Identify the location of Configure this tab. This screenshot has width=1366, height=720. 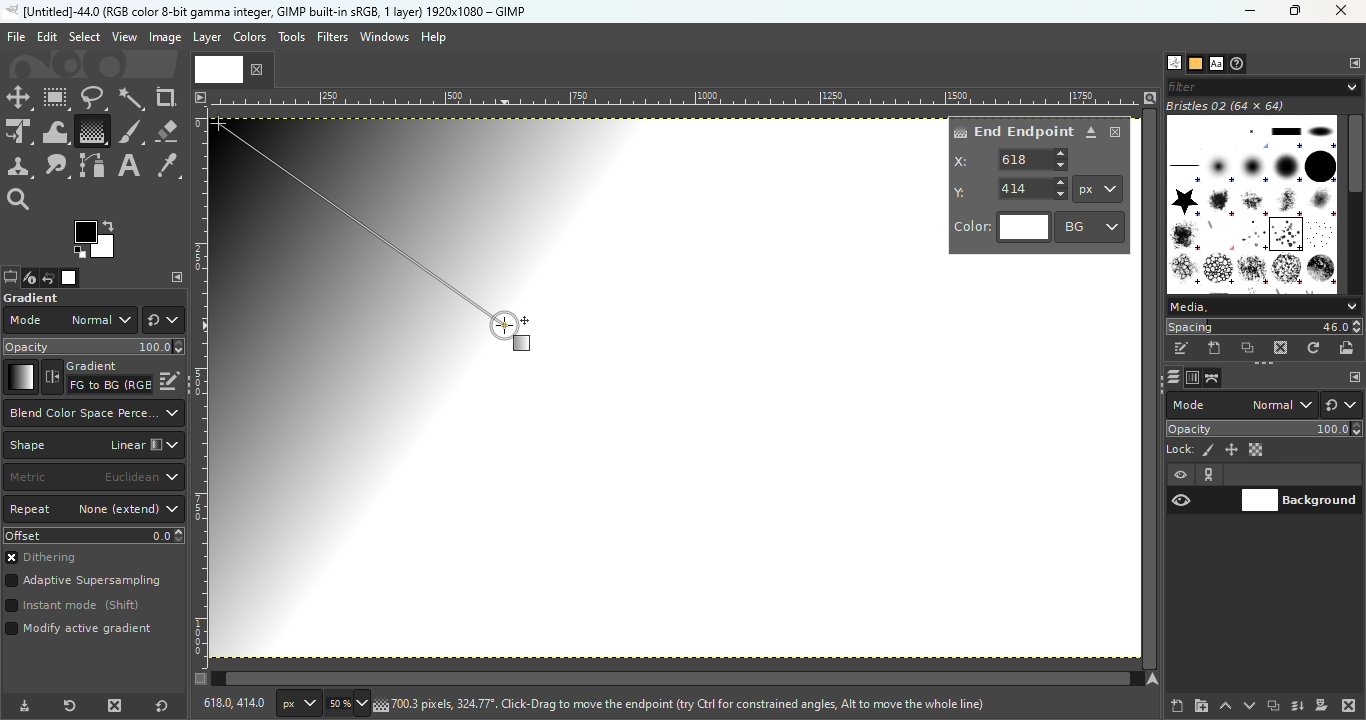
(1353, 378).